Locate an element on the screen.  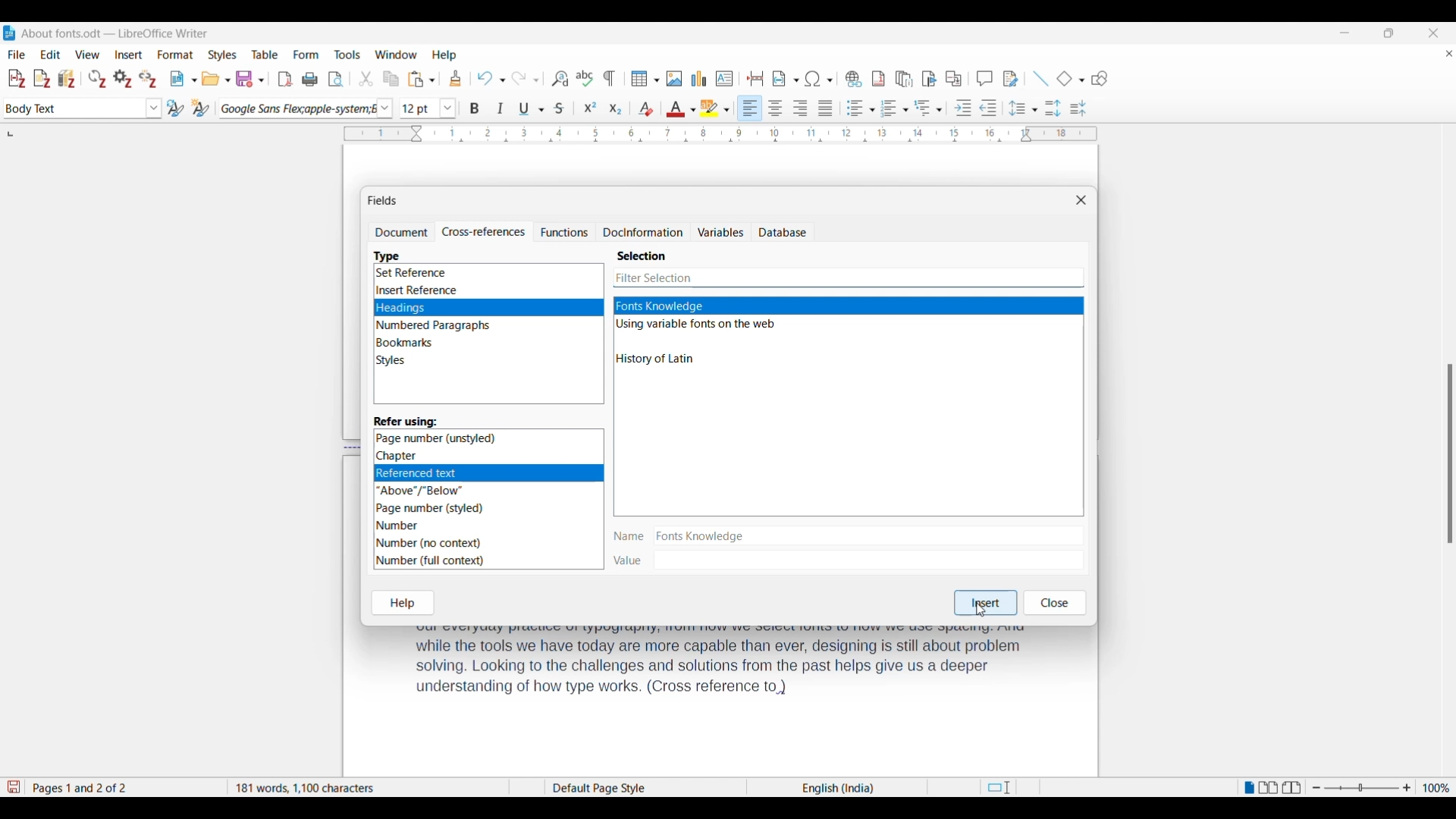
Paragraph style options is located at coordinates (154, 108).